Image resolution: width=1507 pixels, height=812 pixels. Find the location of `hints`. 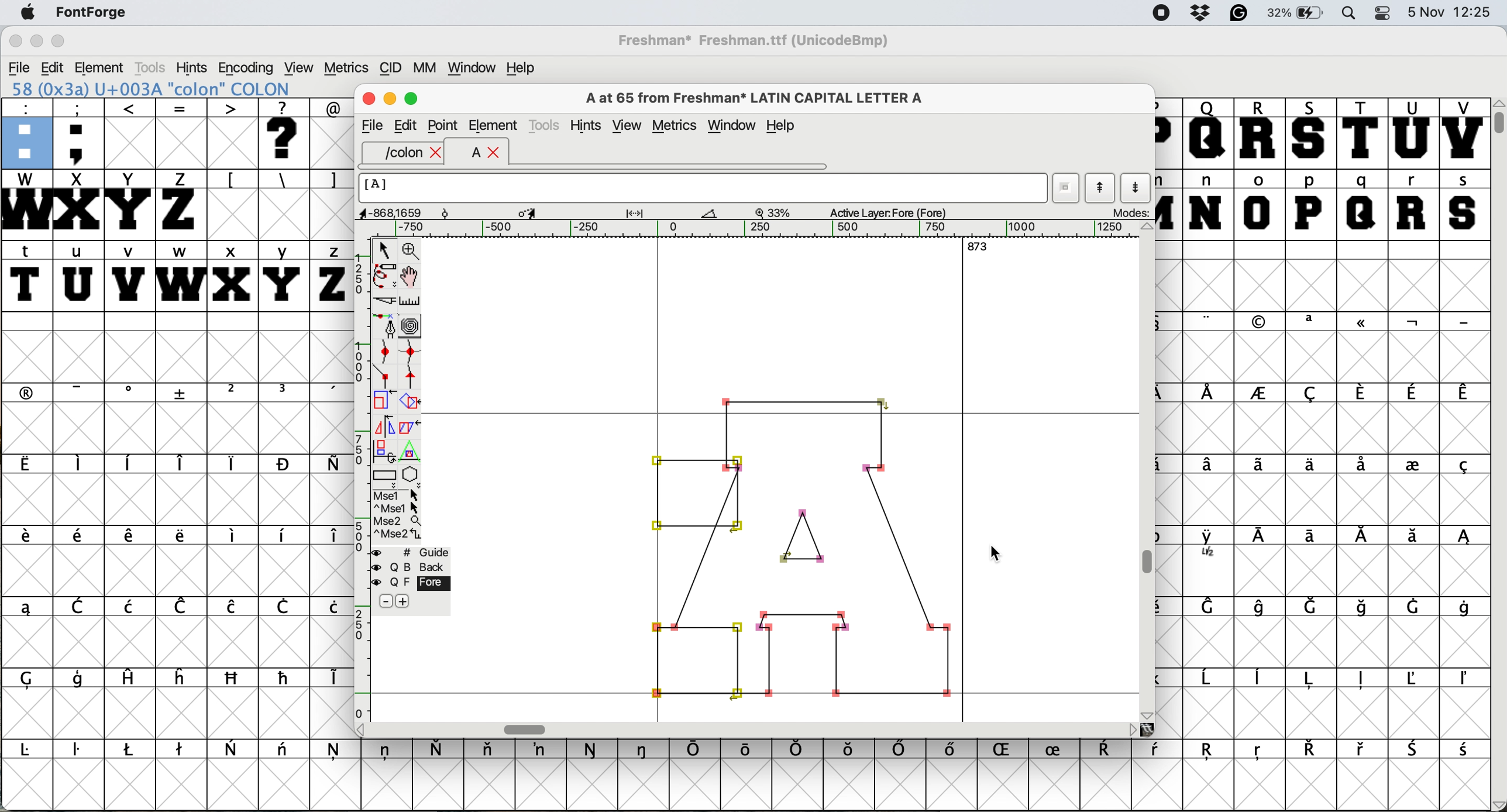

hints is located at coordinates (586, 125).